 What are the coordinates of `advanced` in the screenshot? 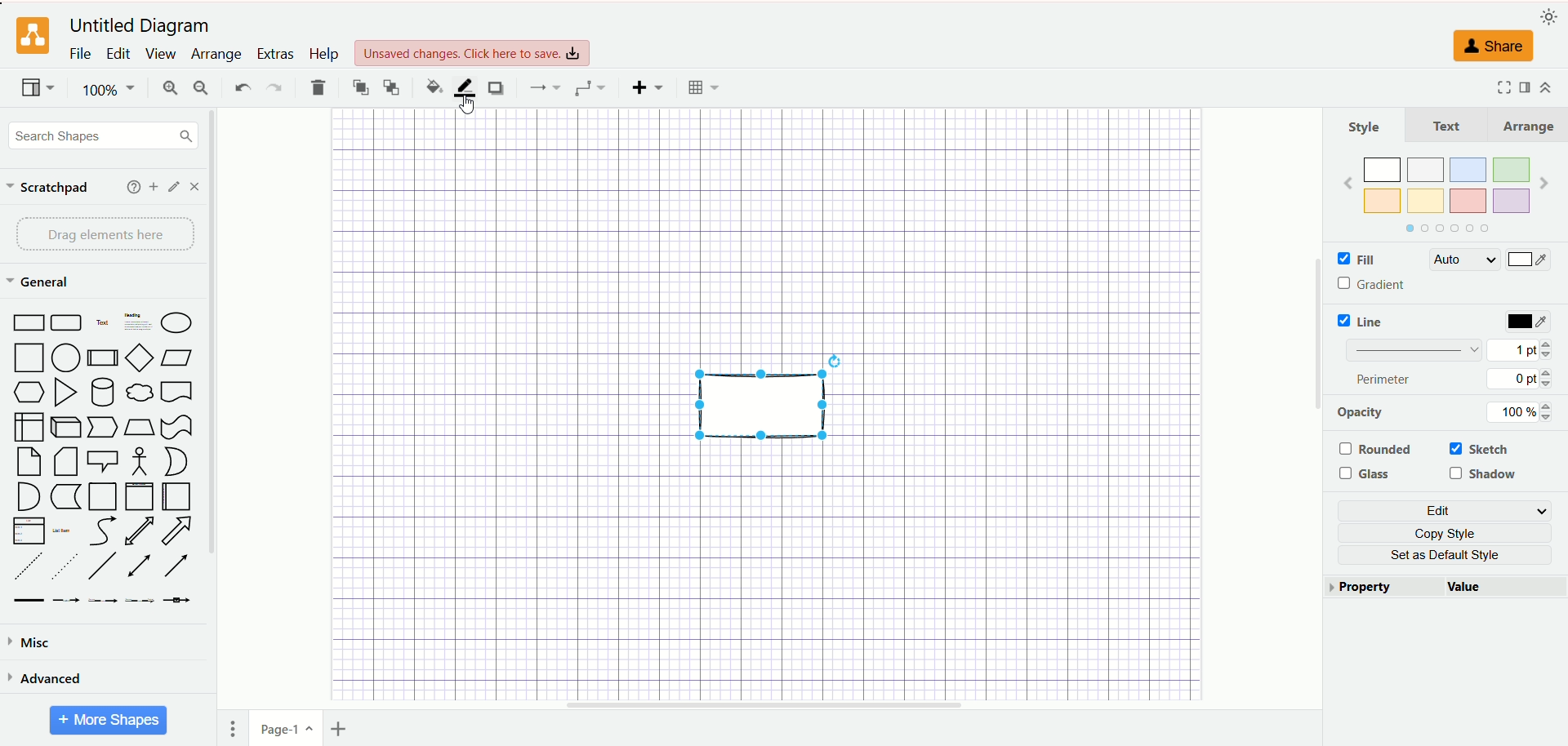 It's located at (47, 681).